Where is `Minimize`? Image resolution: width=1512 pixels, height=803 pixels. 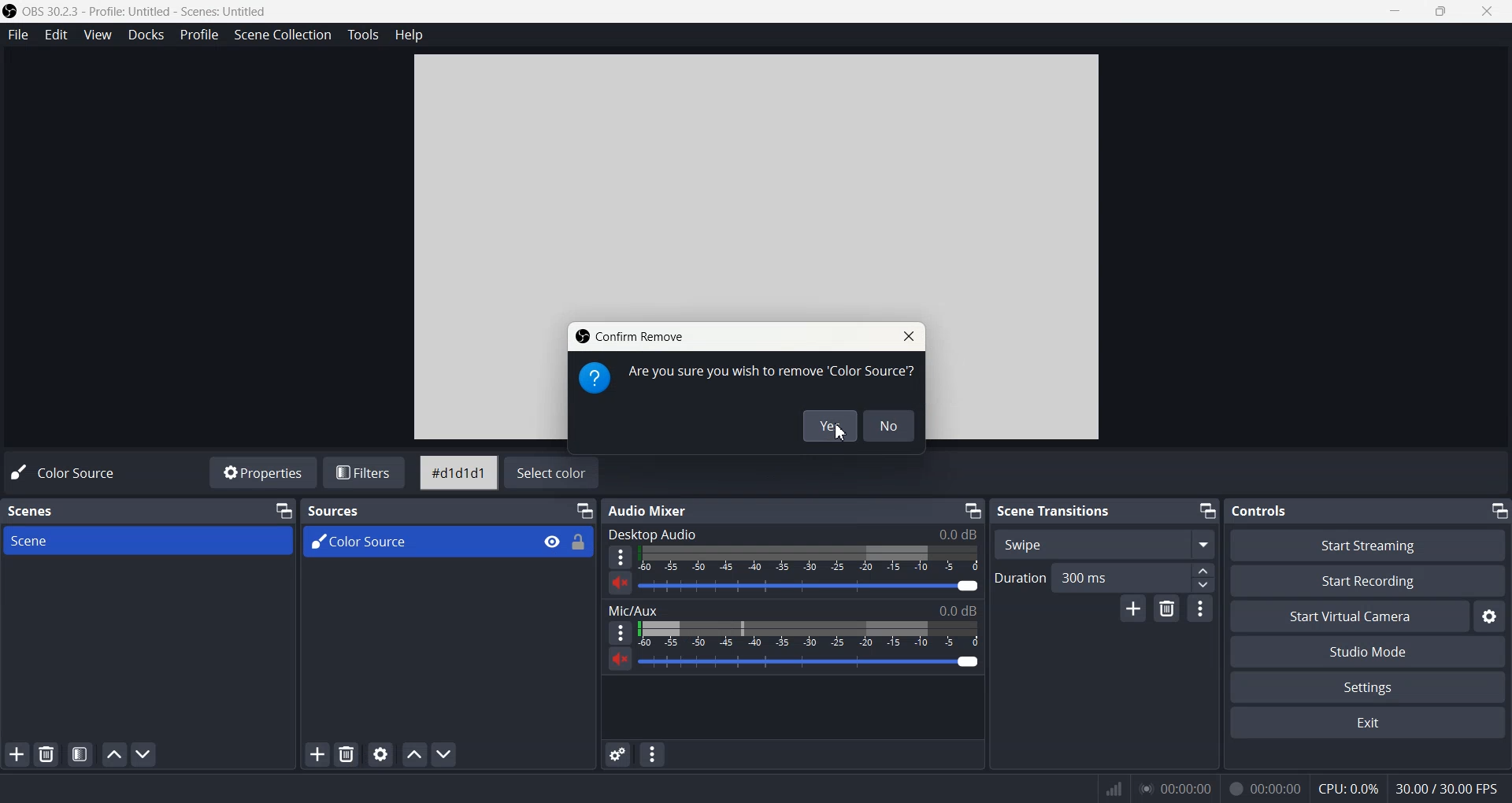
Minimize is located at coordinates (1497, 511).